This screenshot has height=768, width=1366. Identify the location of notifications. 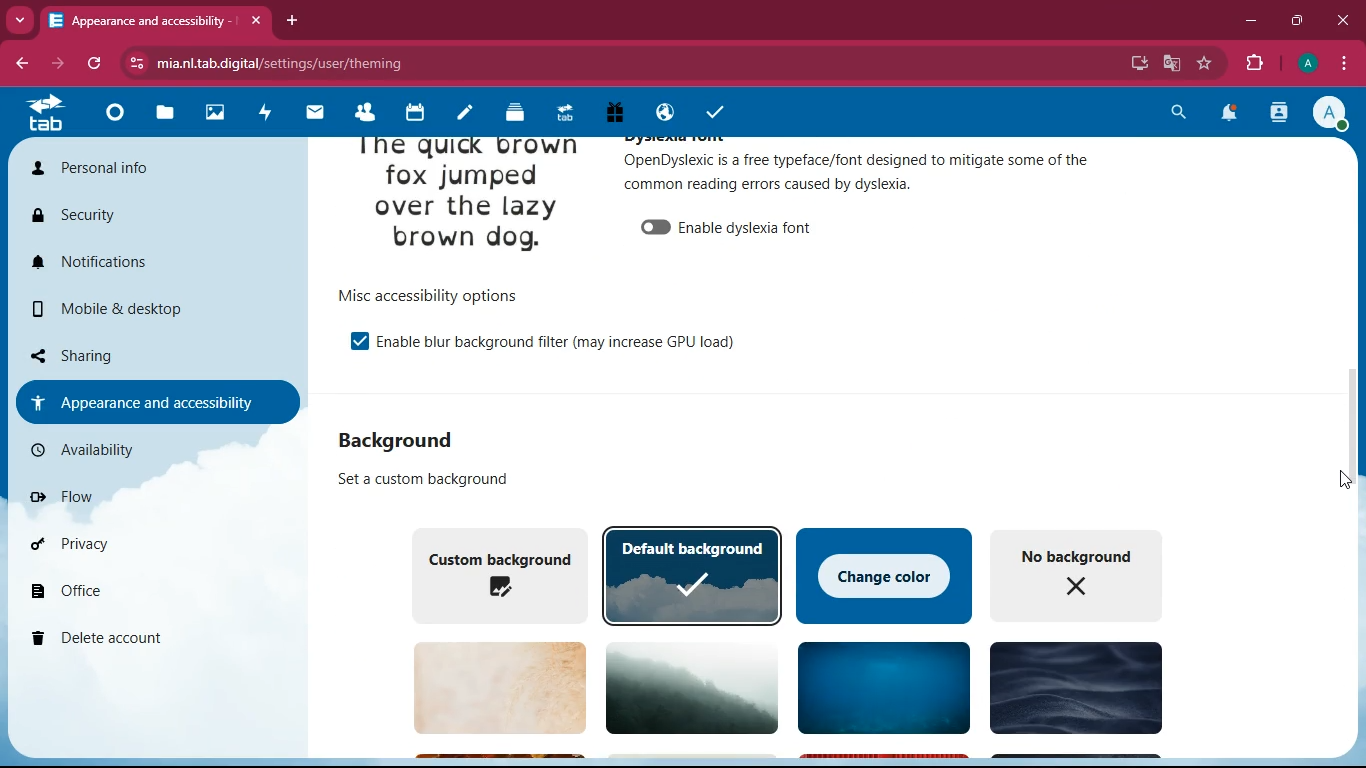
(157, 264).